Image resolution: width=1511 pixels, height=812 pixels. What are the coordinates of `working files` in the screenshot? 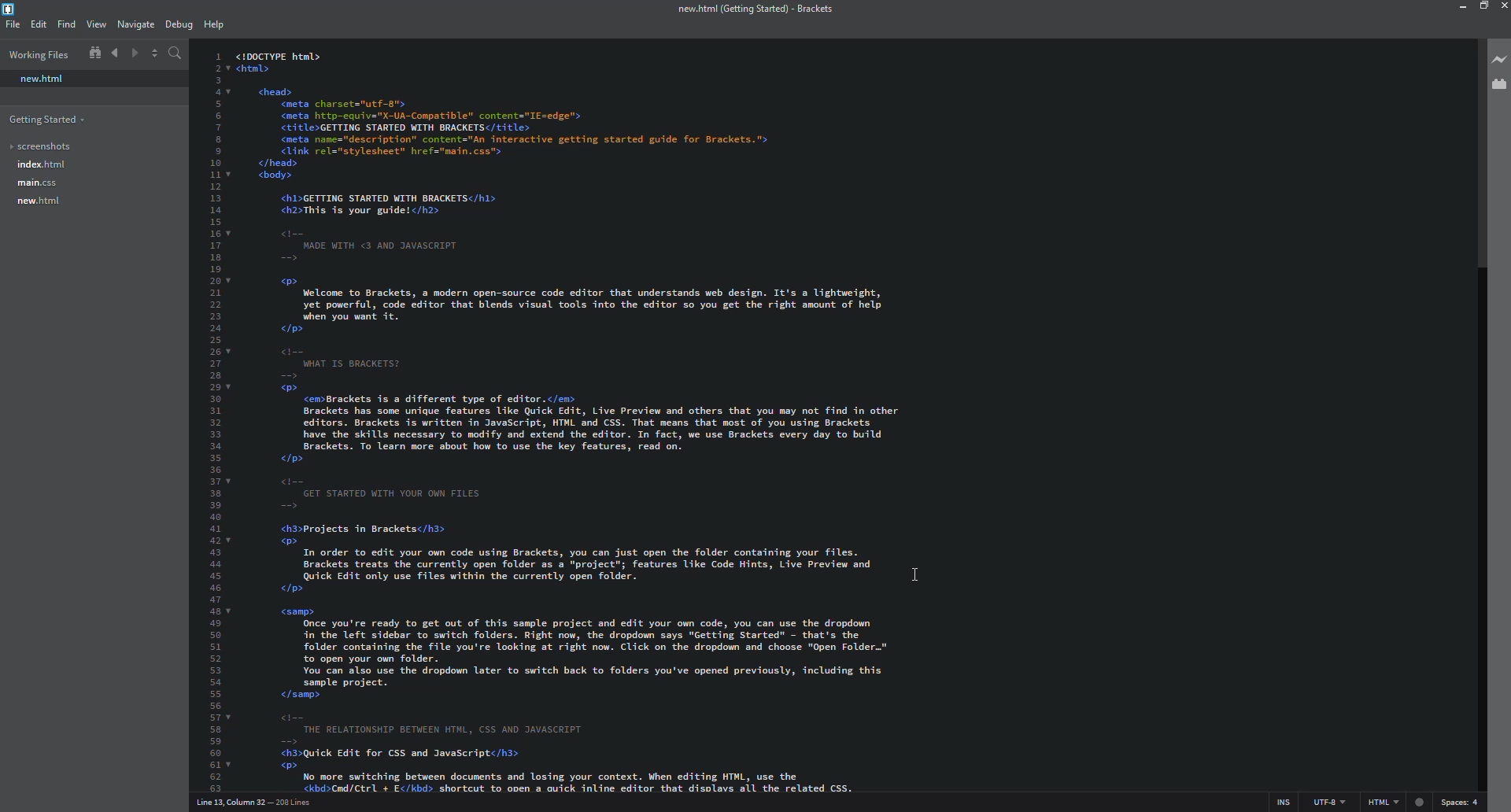 It's located at (41, 54).